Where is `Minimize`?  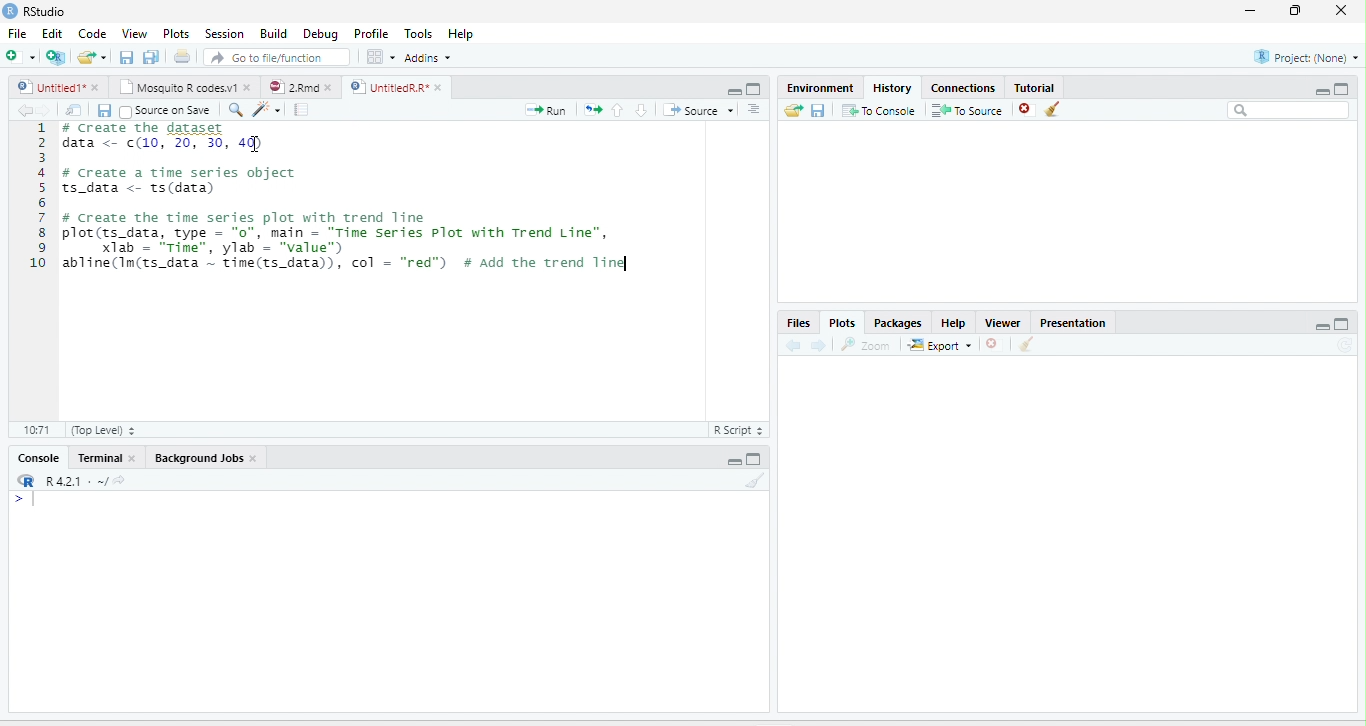
Minimize is located at coordinates (732, 462).